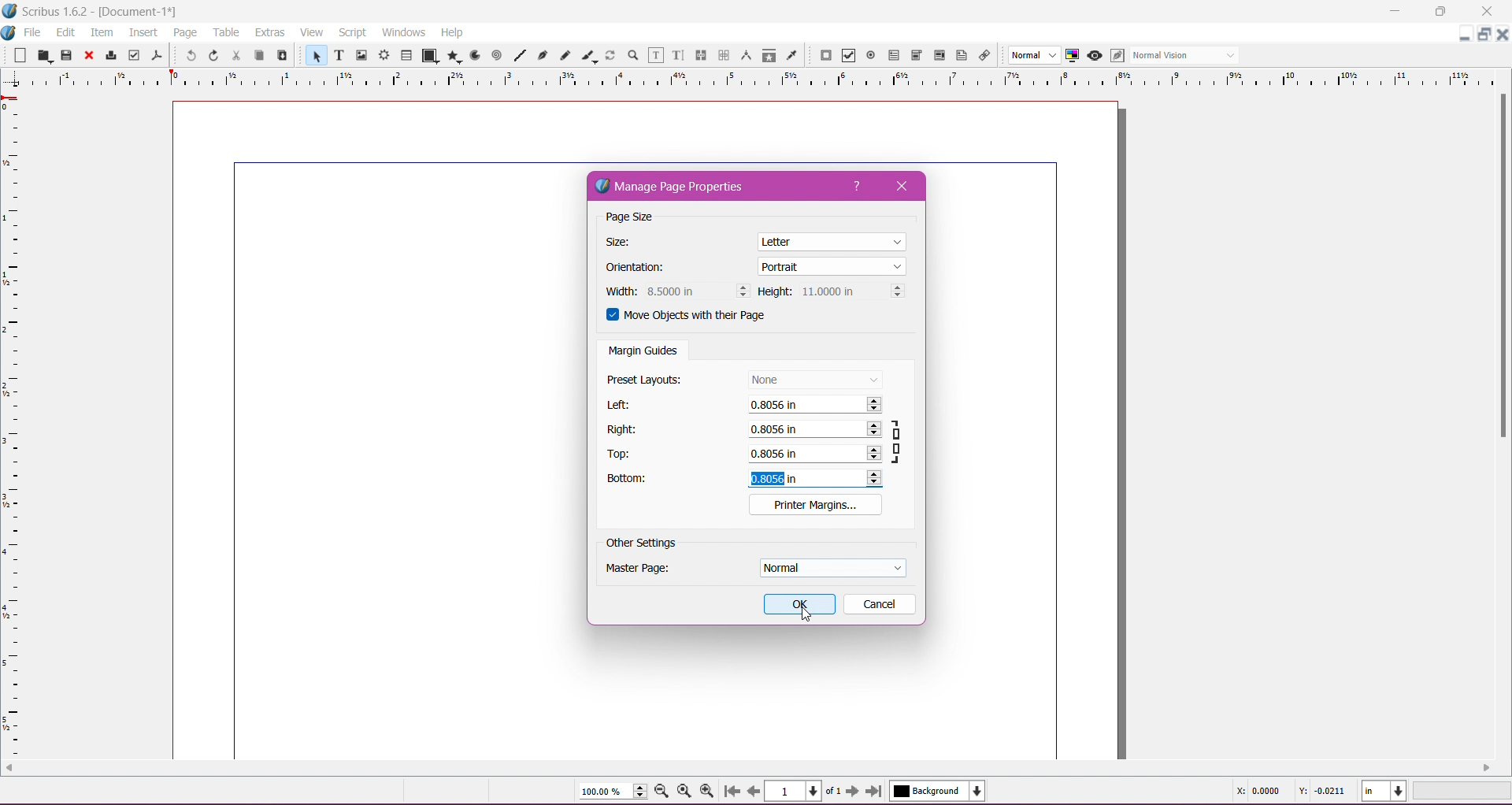  I want to click on Paste, so click(282, 56).